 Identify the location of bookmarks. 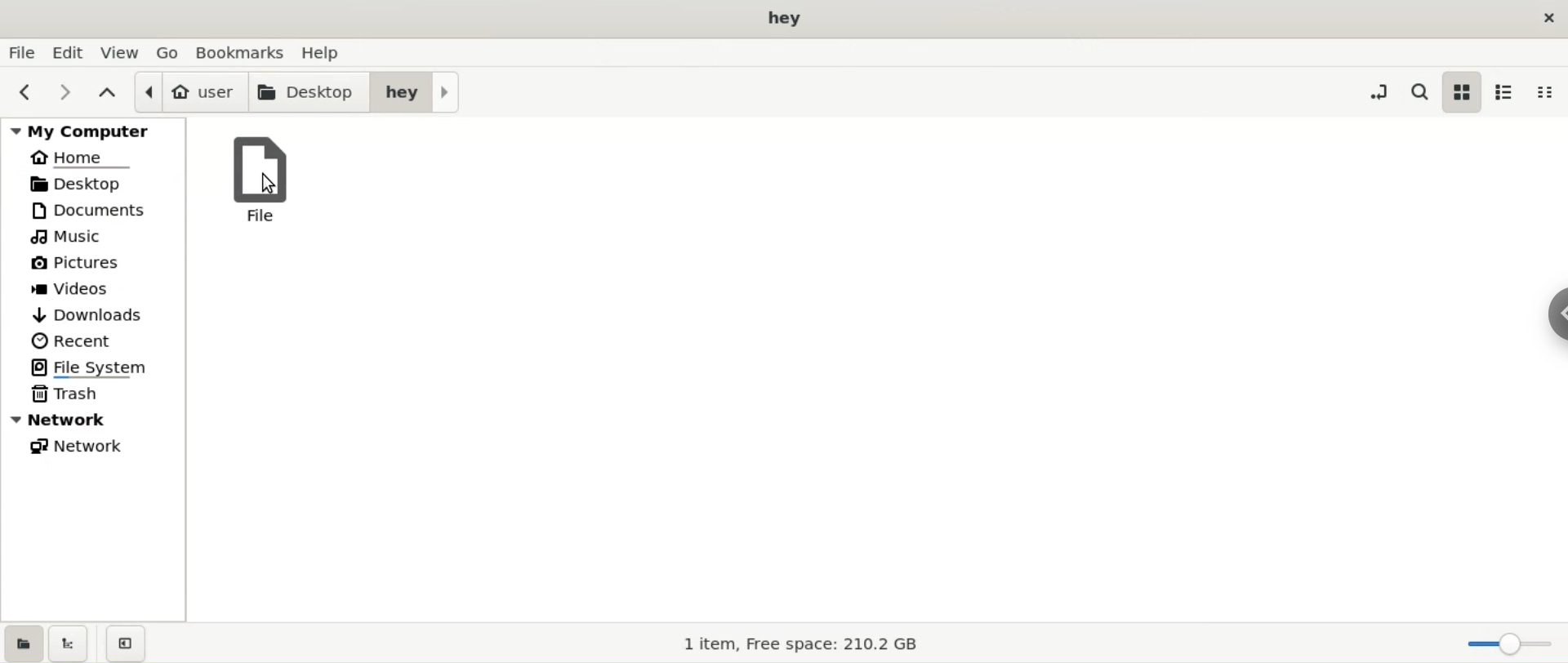
(240, 51).